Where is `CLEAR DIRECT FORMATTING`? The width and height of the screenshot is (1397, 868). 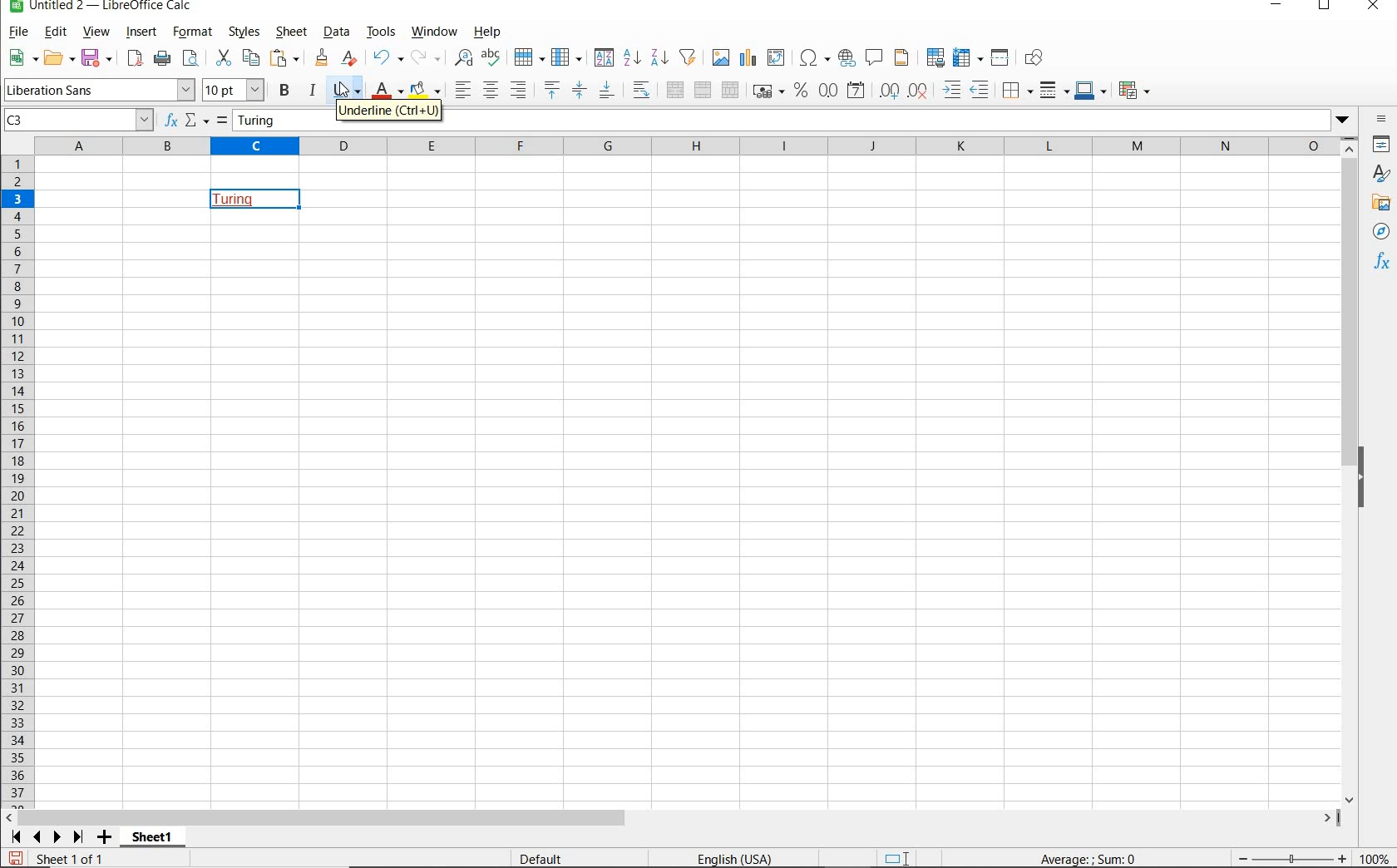 CLEAR DIRECT FORMATTING is located at coordinates (348, 60).